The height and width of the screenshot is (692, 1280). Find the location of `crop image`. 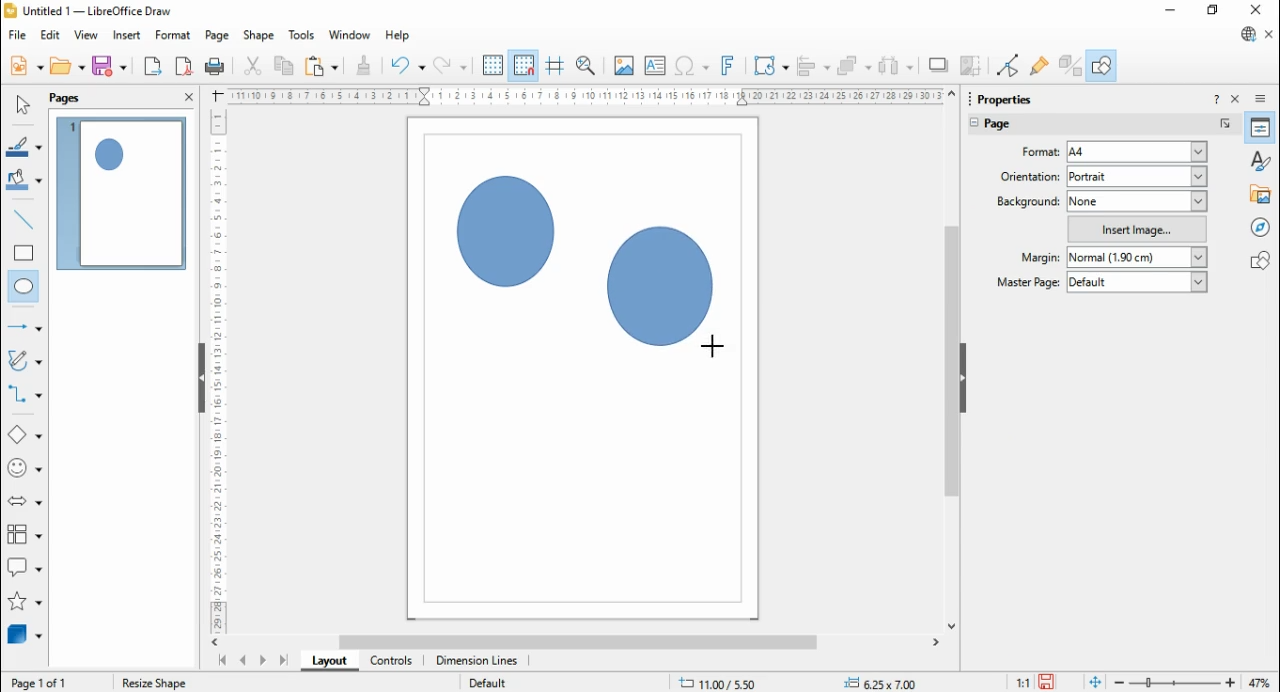

crop image is located at coordinates (973, 66).